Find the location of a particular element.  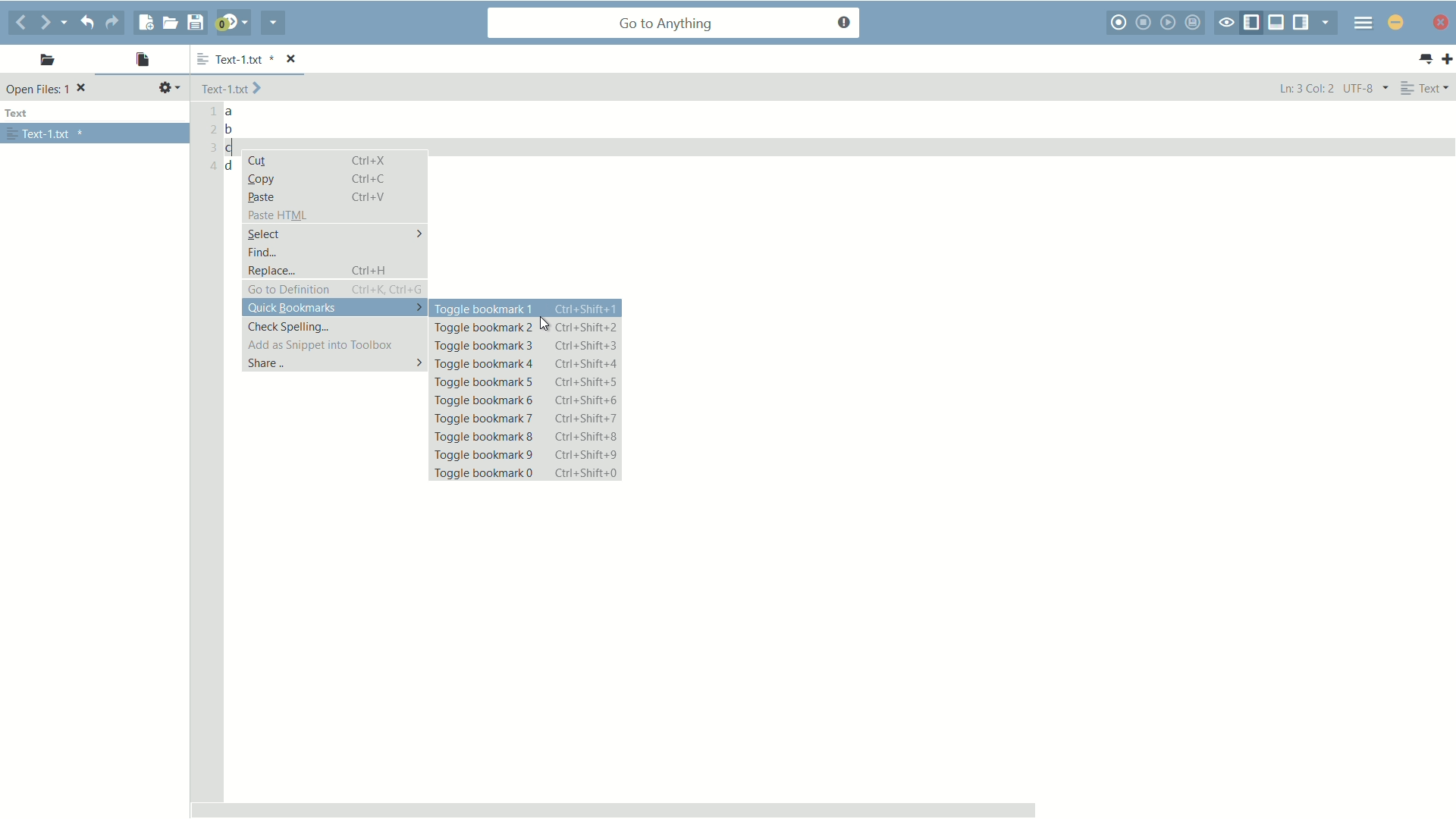

toggle bookmark 6 is located at coordinates (526, 399).